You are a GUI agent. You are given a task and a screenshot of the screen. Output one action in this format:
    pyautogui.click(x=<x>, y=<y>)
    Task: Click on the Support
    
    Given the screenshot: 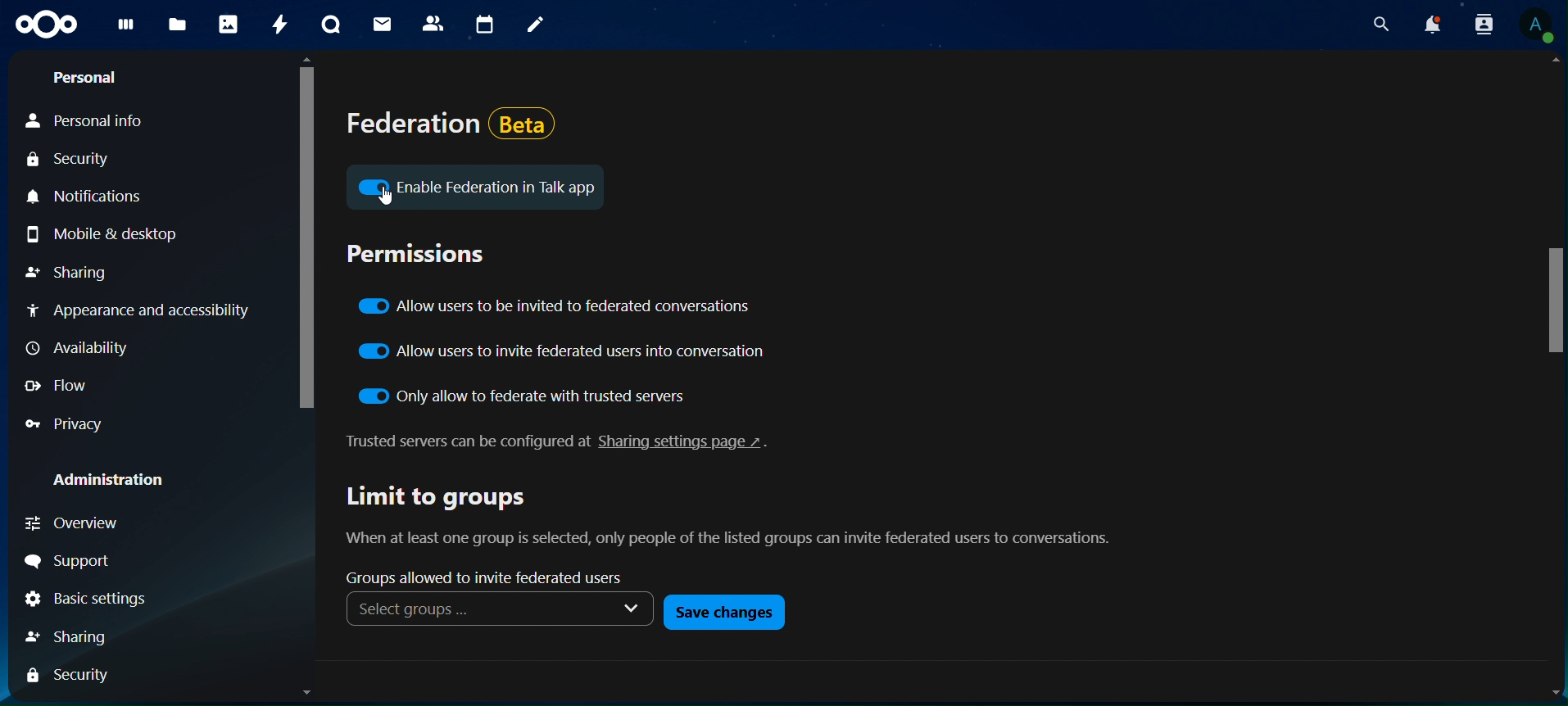 What is the action you would take?
    pyautogui.click(x=72, y=561)
    